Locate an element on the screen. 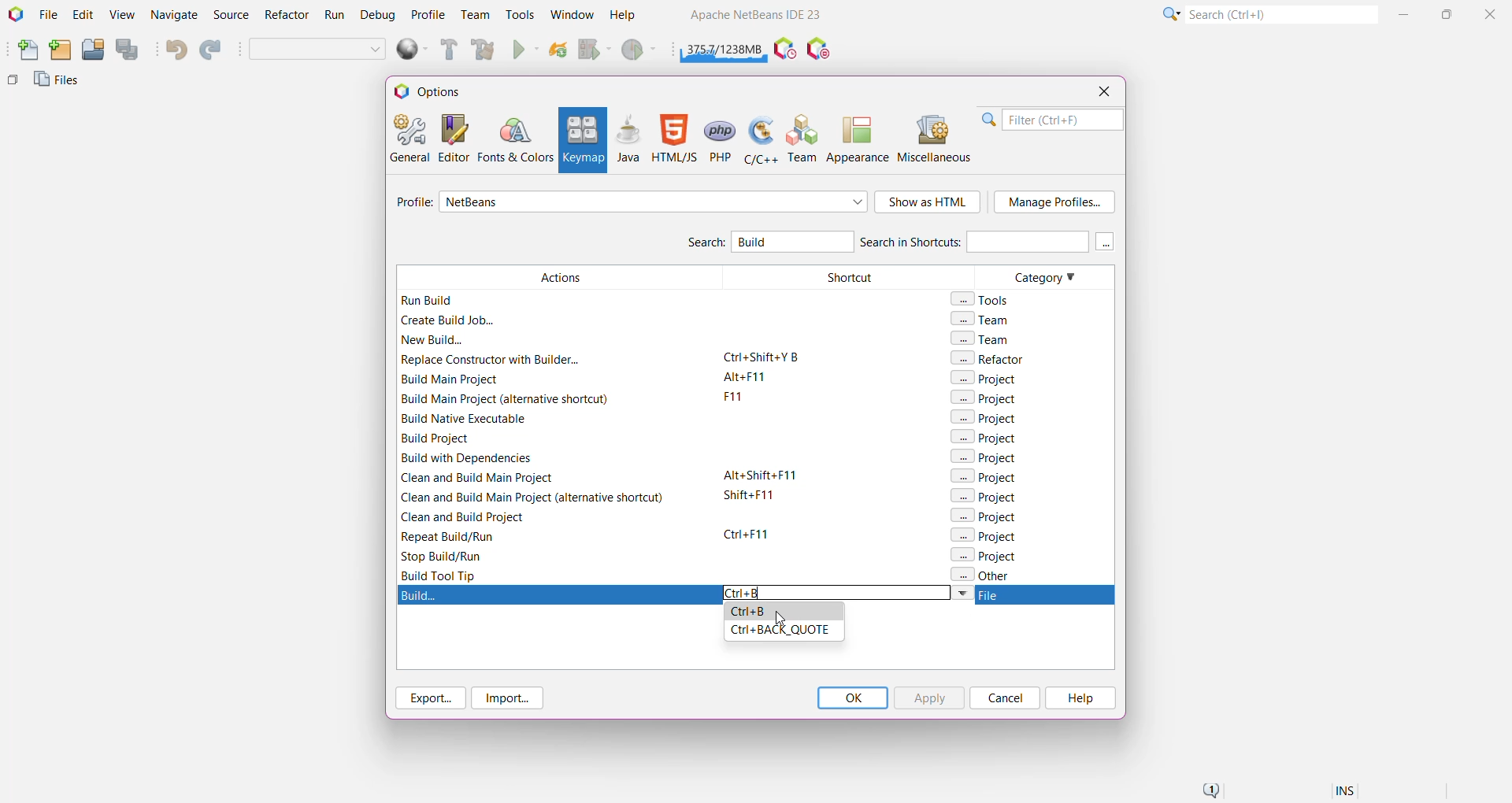 The width and height of the screenshot is (1512, 803). Edit is located at coordinates (83, 16).